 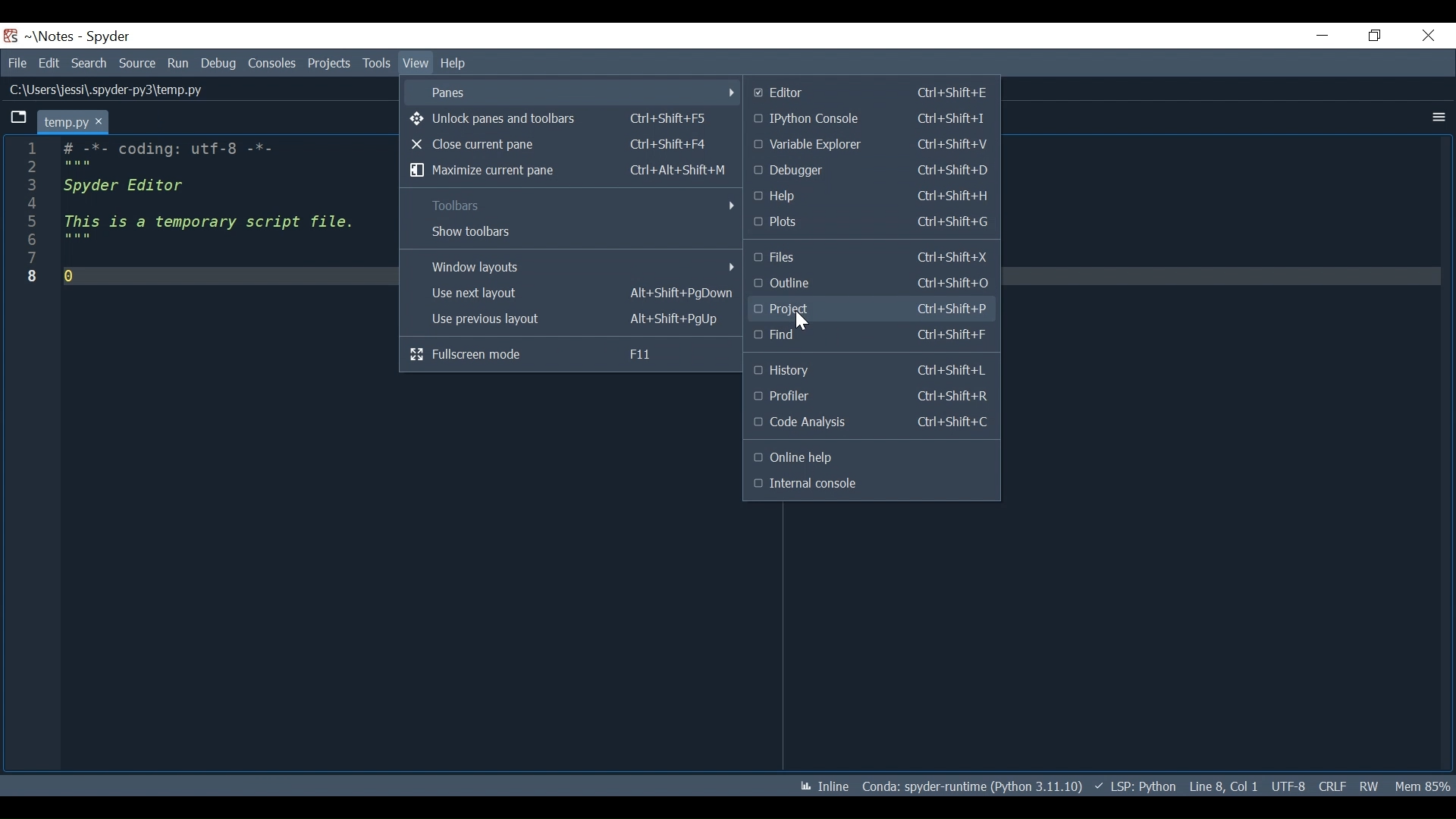 I want to click on Editor, so click(x=871, y=92).